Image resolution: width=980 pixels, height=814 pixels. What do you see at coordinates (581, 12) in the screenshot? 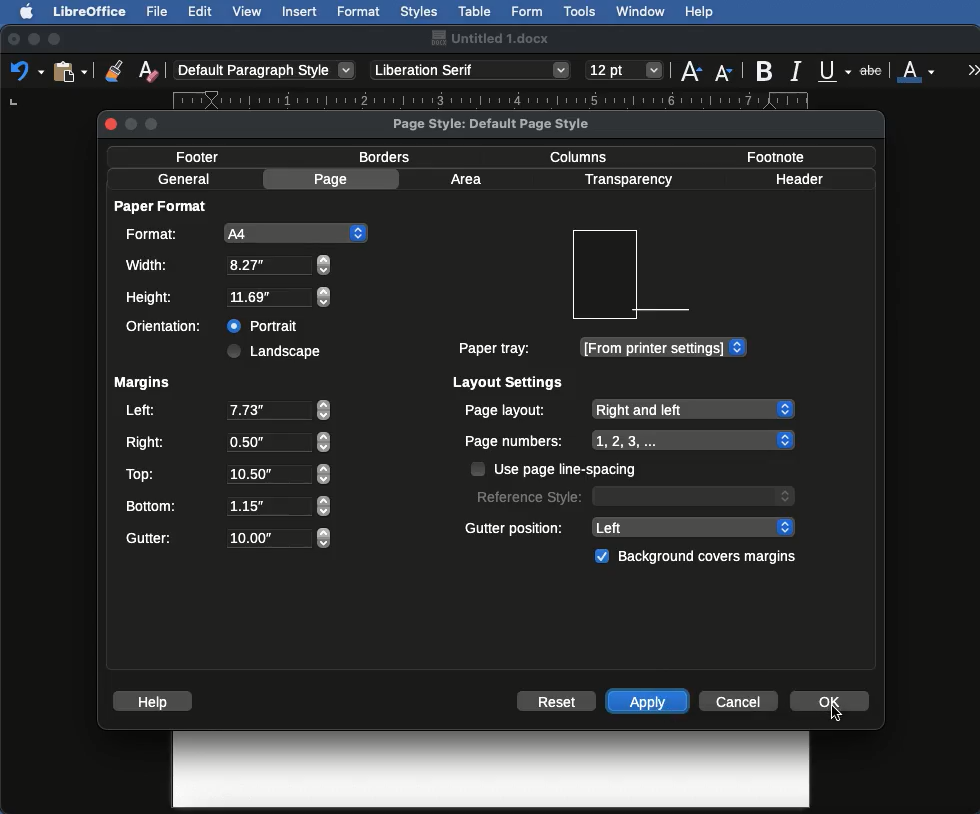
I see `Tools` at bounding box center [581, 12].